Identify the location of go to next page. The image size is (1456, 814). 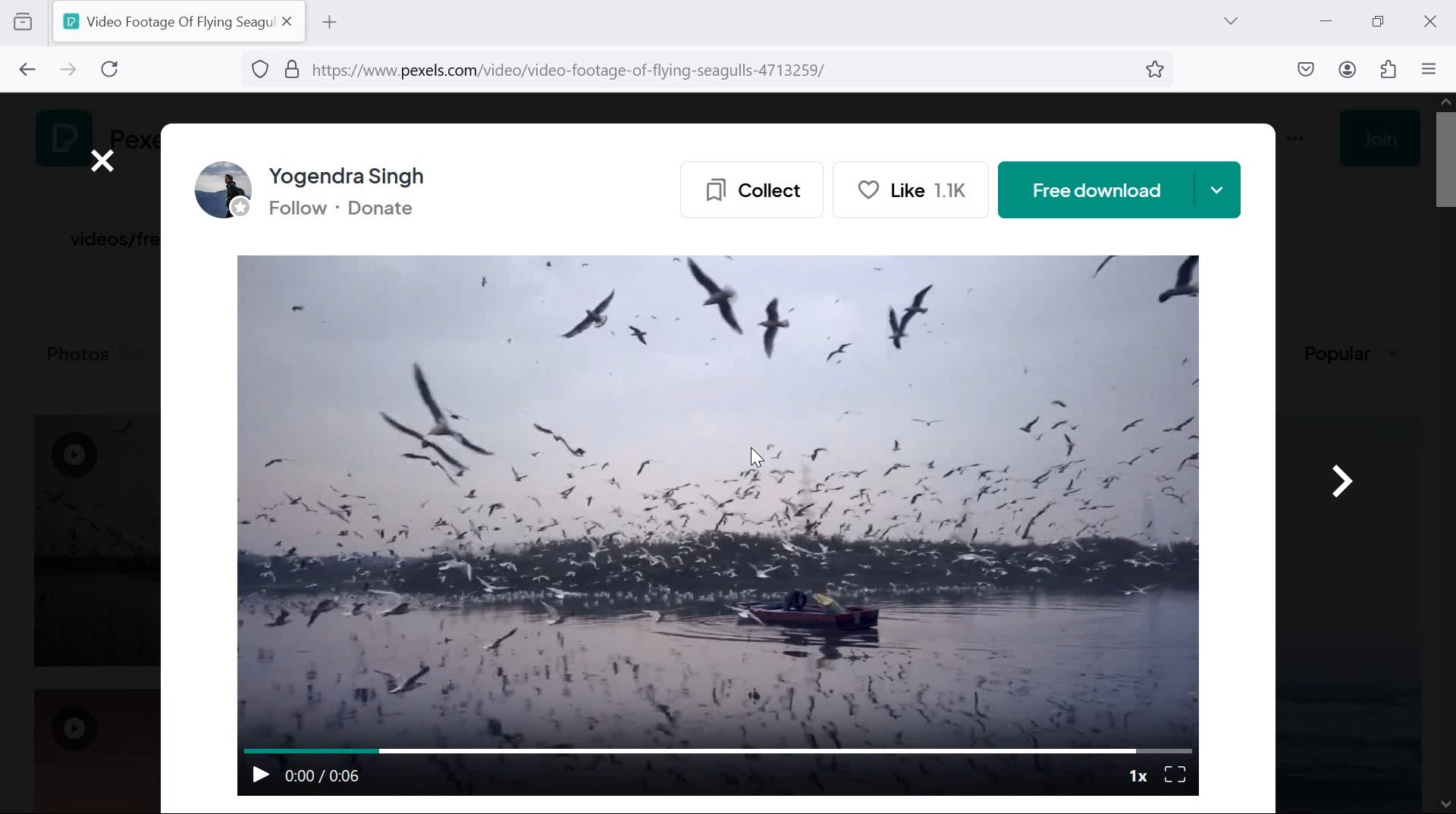
(68, 71).